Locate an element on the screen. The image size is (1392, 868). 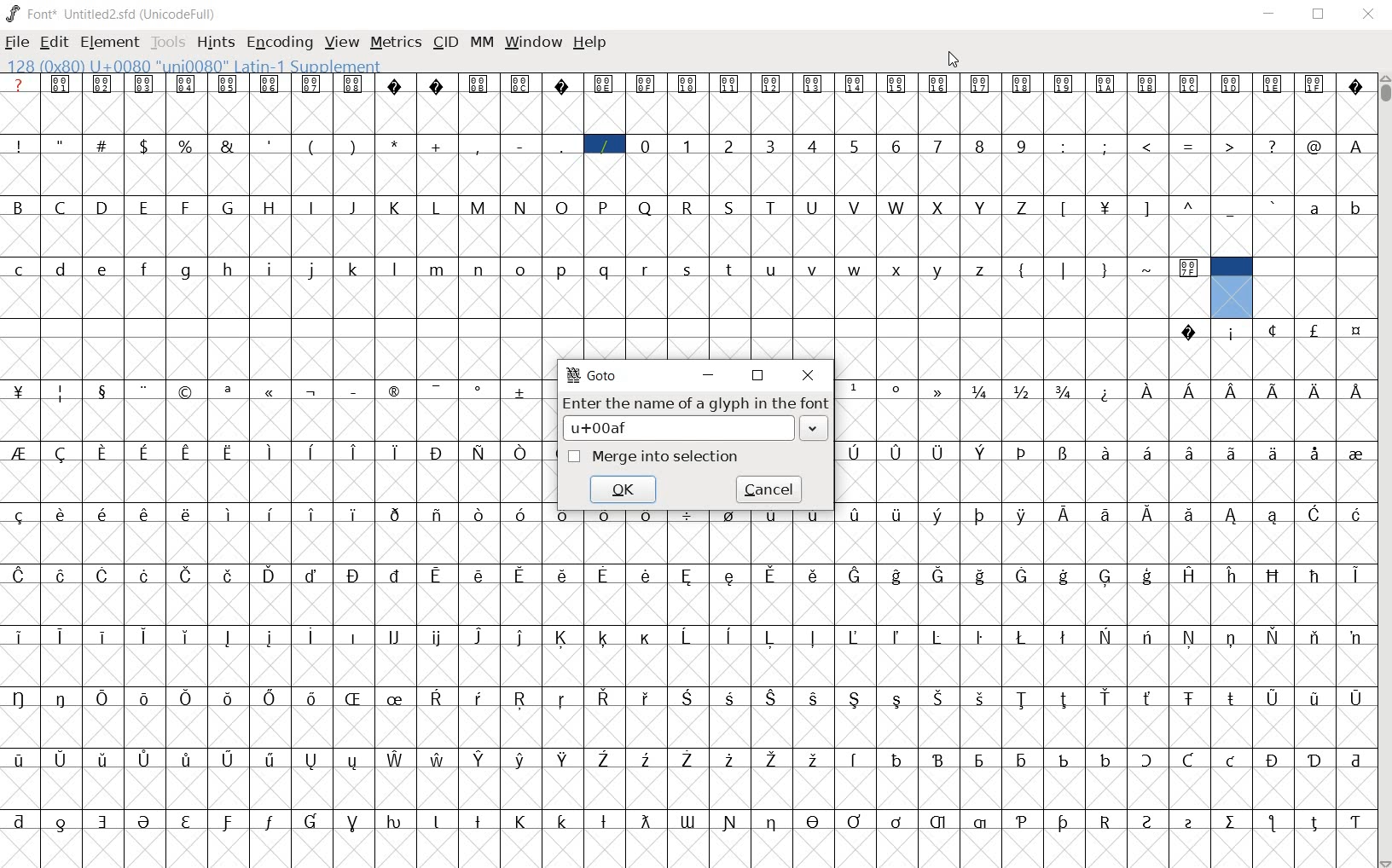
Symbol is located at coordinates (438, 637).